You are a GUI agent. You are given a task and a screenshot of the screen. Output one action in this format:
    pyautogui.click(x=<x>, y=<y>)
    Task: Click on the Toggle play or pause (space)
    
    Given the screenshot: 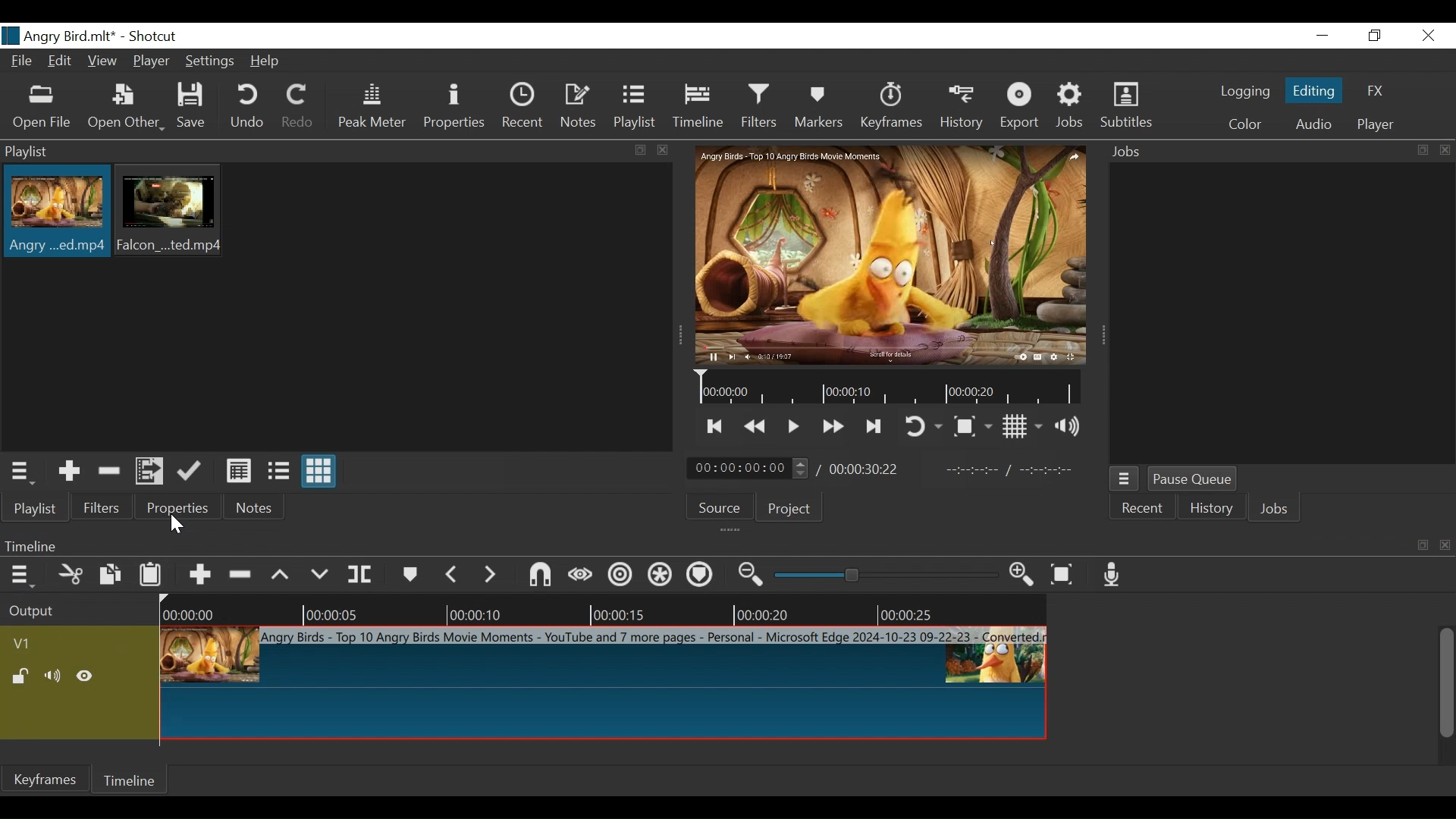 What is the action you would take?
    pyautogui.click(x=792, y=428)
    